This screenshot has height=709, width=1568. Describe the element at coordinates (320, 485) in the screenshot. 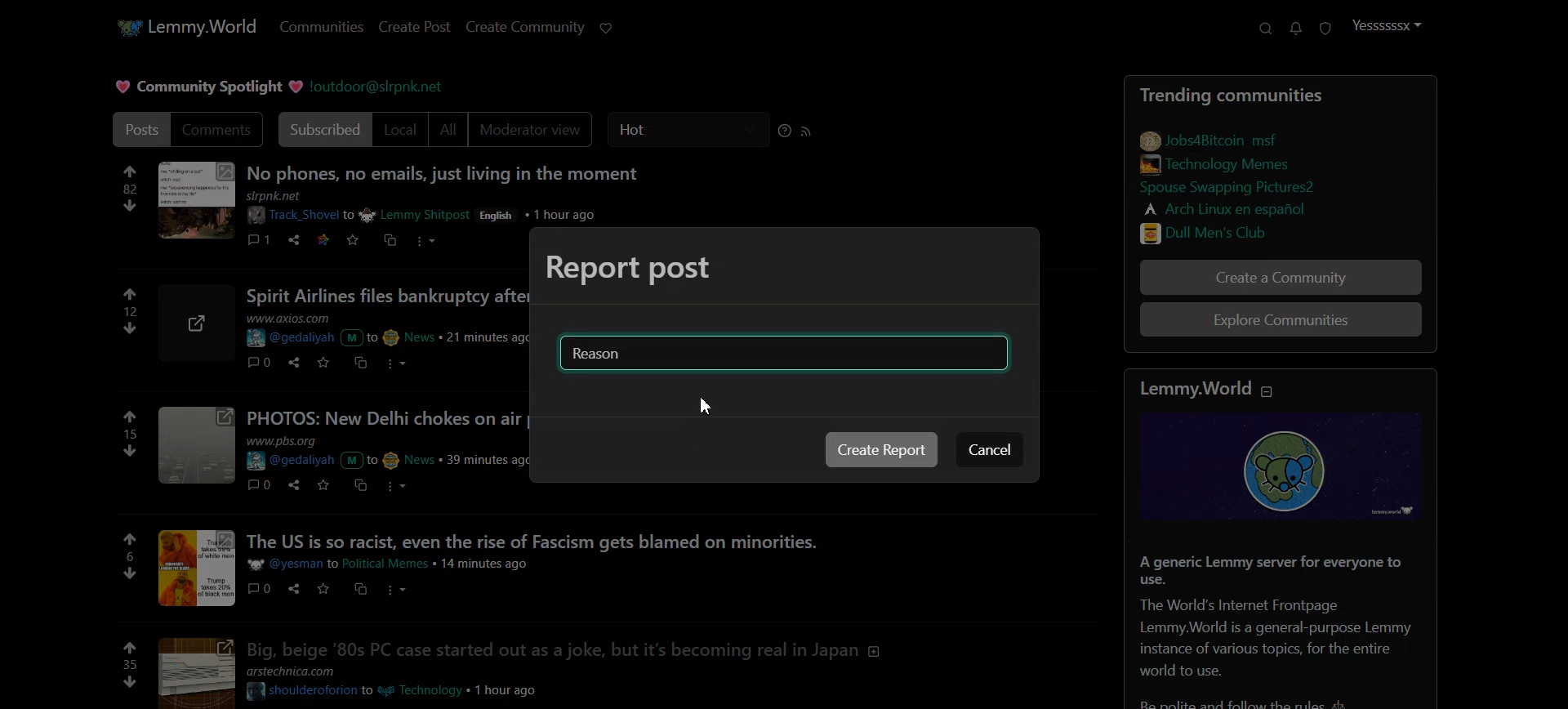

I see `save` at that location.